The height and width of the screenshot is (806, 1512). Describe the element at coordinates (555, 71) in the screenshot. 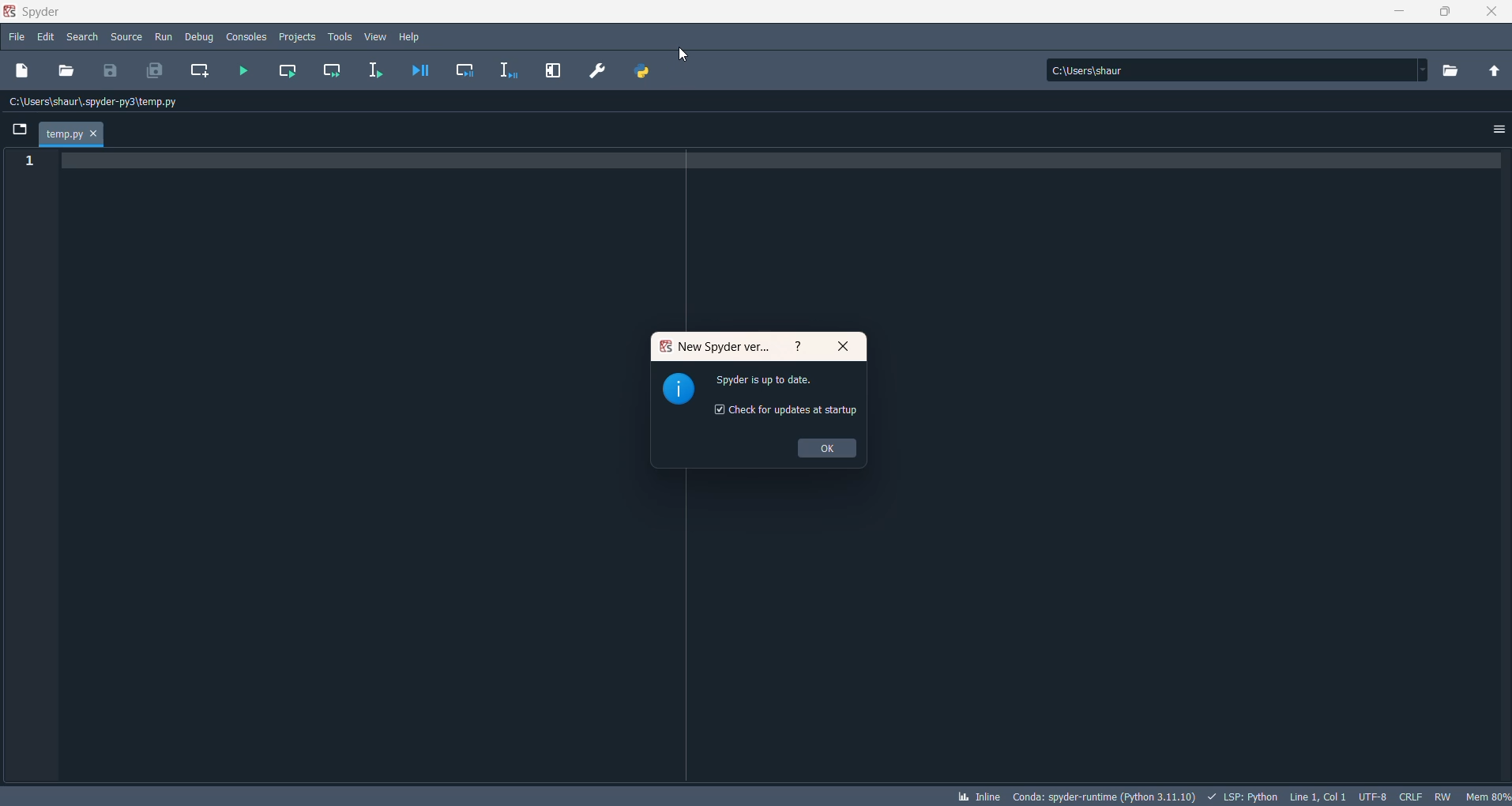

I see `MAXIMIZE CURRENT PANE` at that location.